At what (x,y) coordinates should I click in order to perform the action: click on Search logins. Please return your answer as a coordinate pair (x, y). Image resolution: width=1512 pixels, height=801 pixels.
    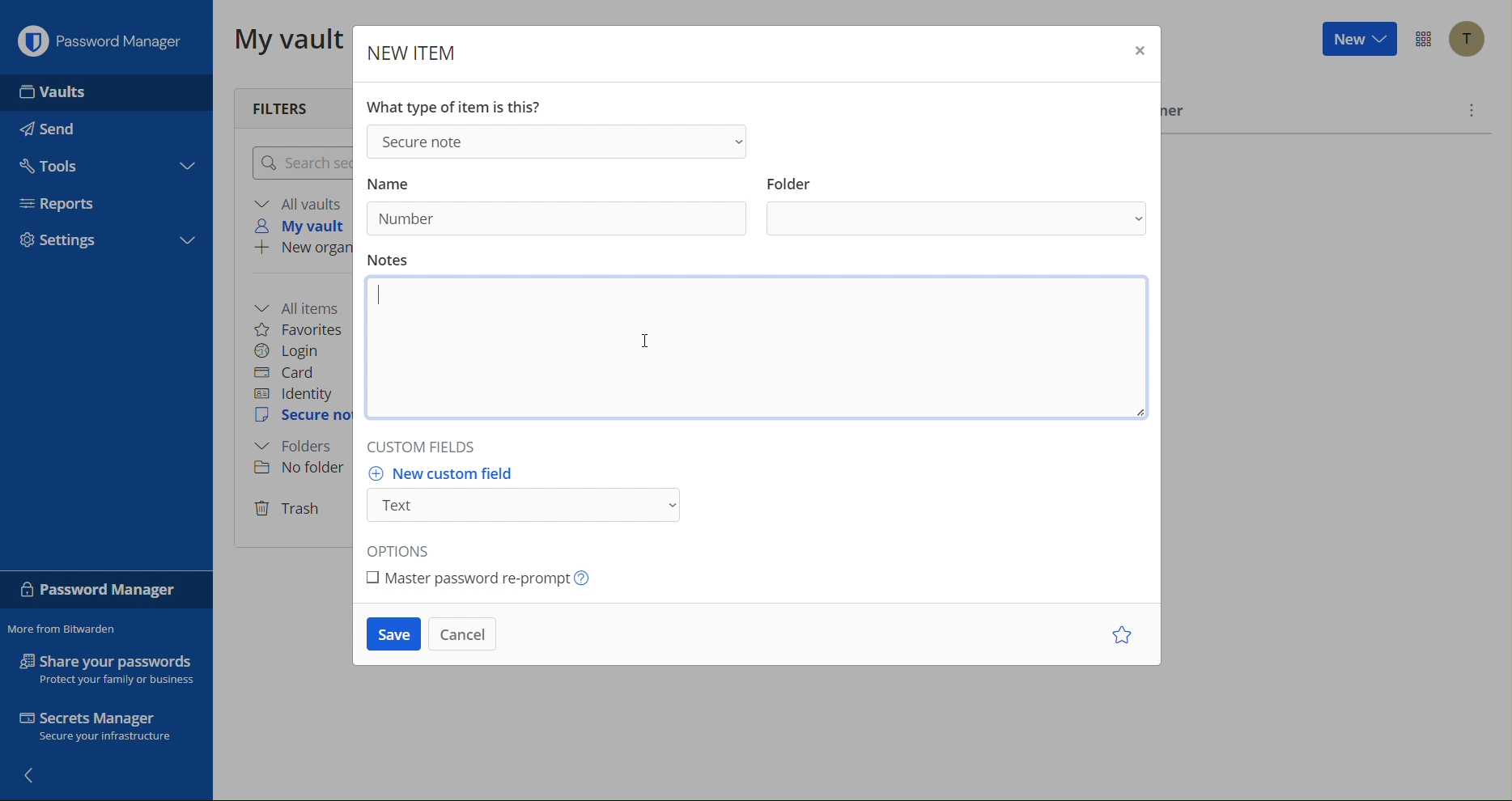
    Looking at the image, I should click on (299, 163).